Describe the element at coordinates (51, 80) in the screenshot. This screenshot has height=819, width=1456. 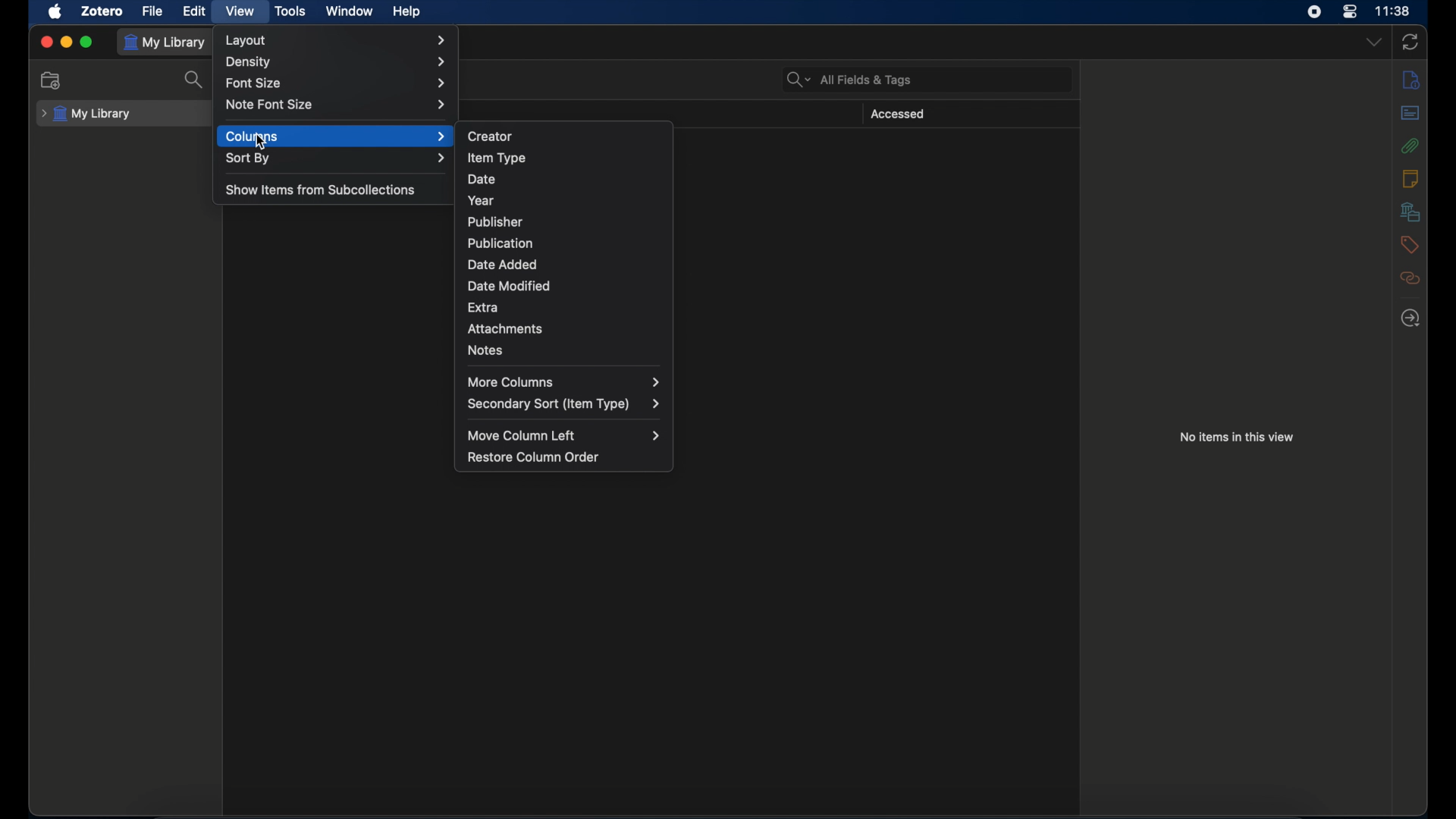
I see `new collection` at that location.